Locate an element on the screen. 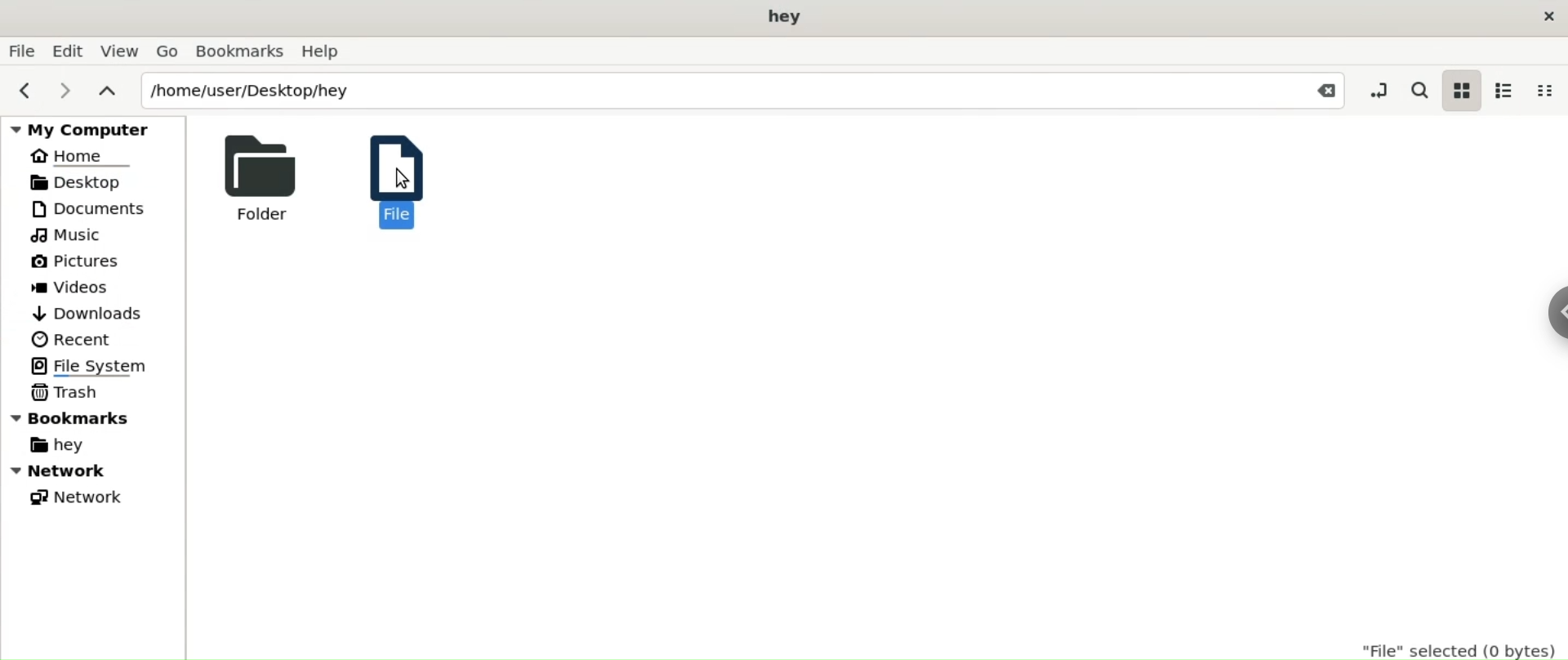  File is located at coordinates (394, 181).